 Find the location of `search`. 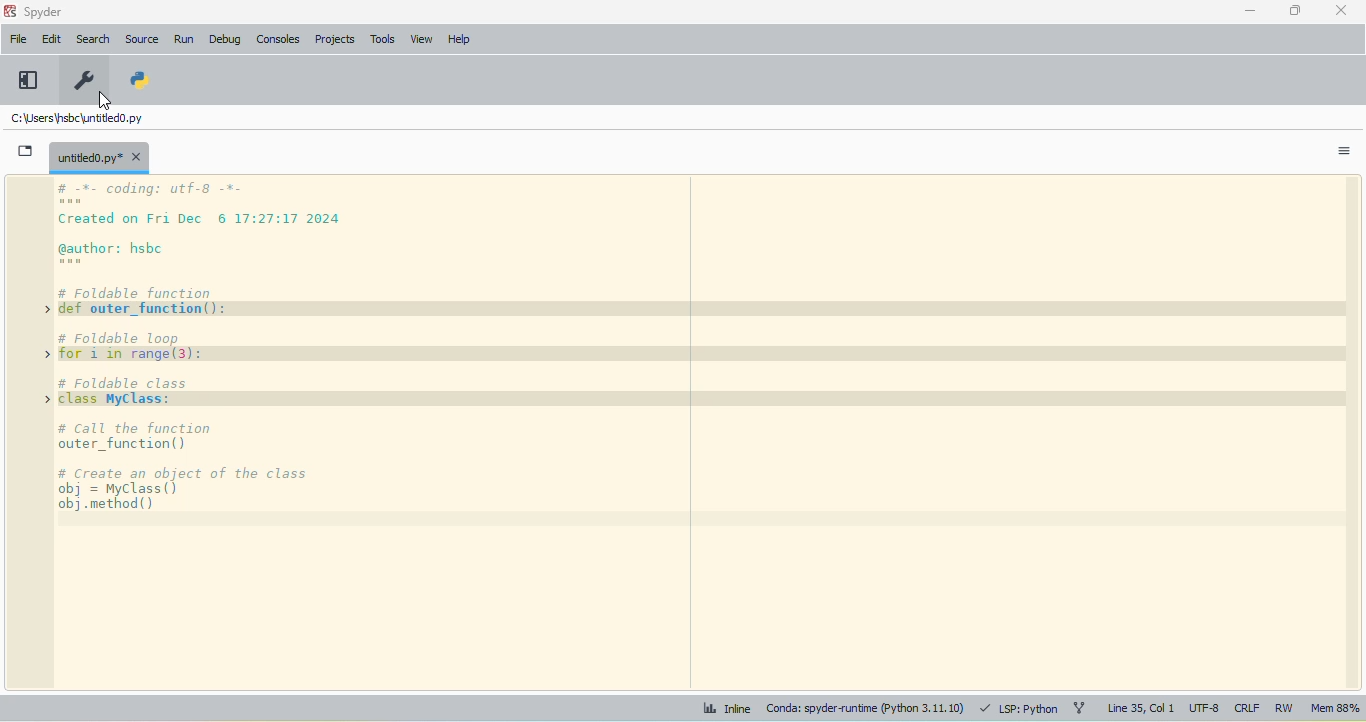

search is located at coordinates (93, 39).